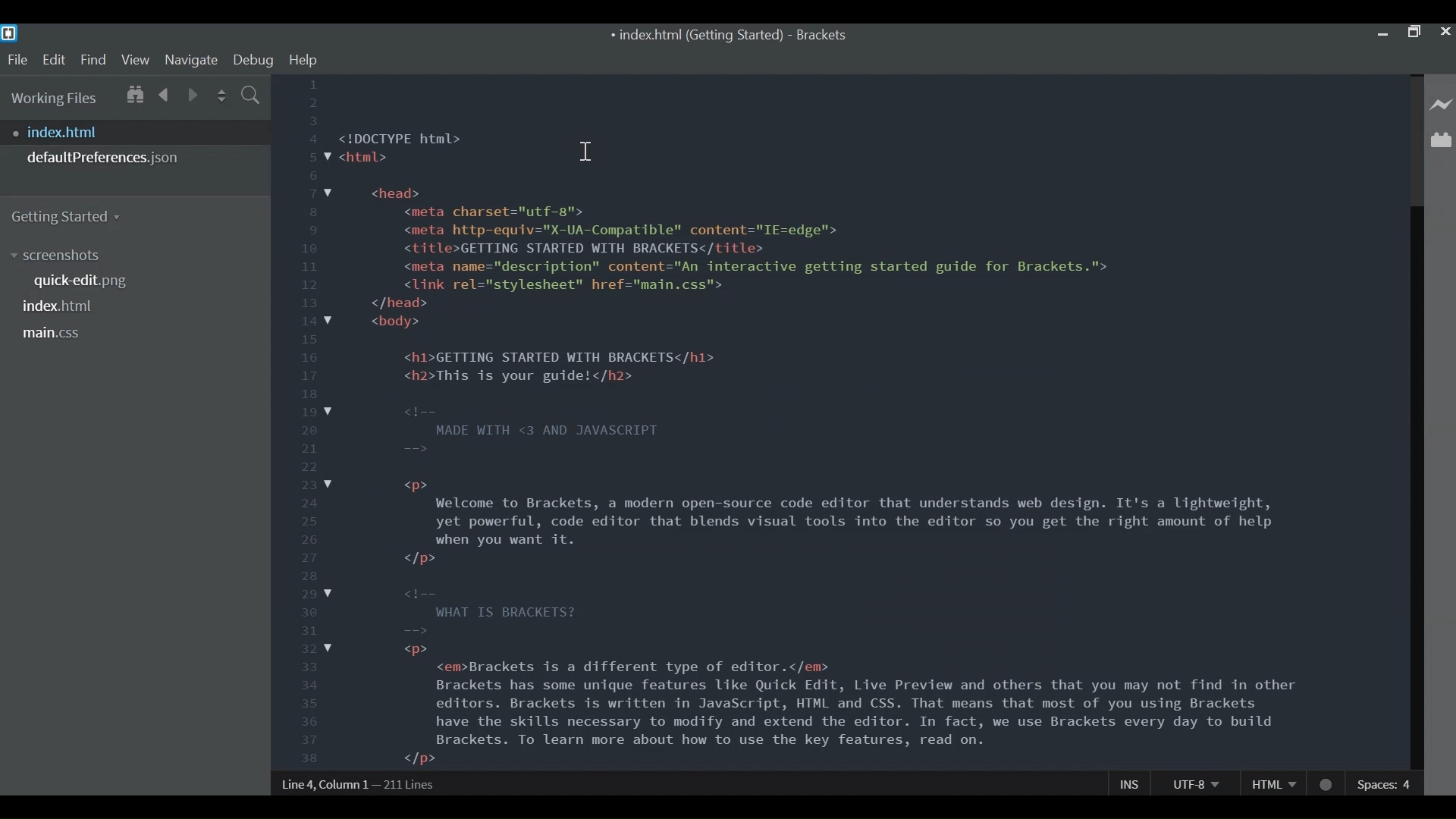 This screenshot has height=819, width=1456. Describe the element at coordinates (60, 256) in the screenshot. I see `screenshots` at that location.